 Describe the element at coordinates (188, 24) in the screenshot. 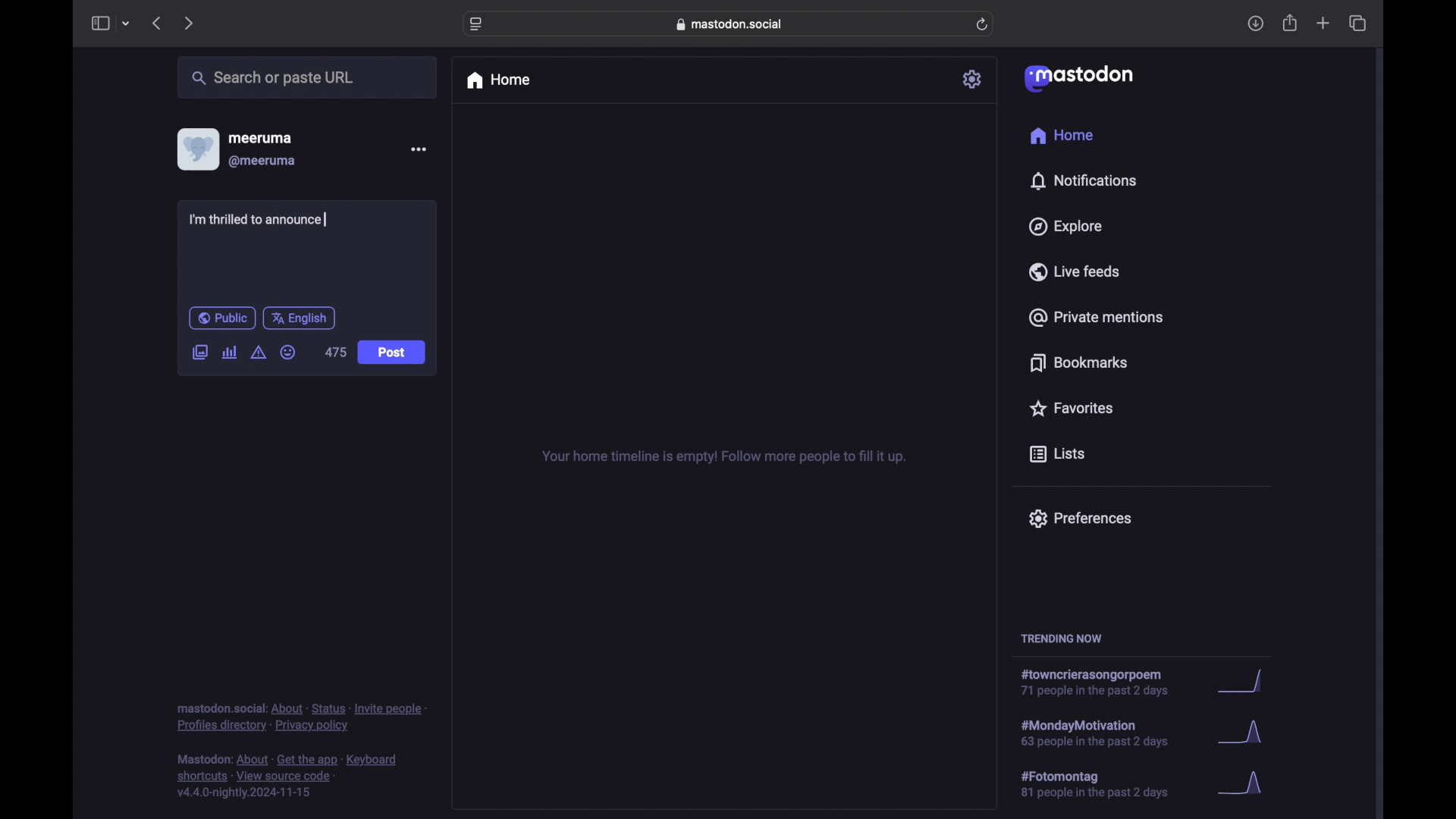

I see `next` at that location.